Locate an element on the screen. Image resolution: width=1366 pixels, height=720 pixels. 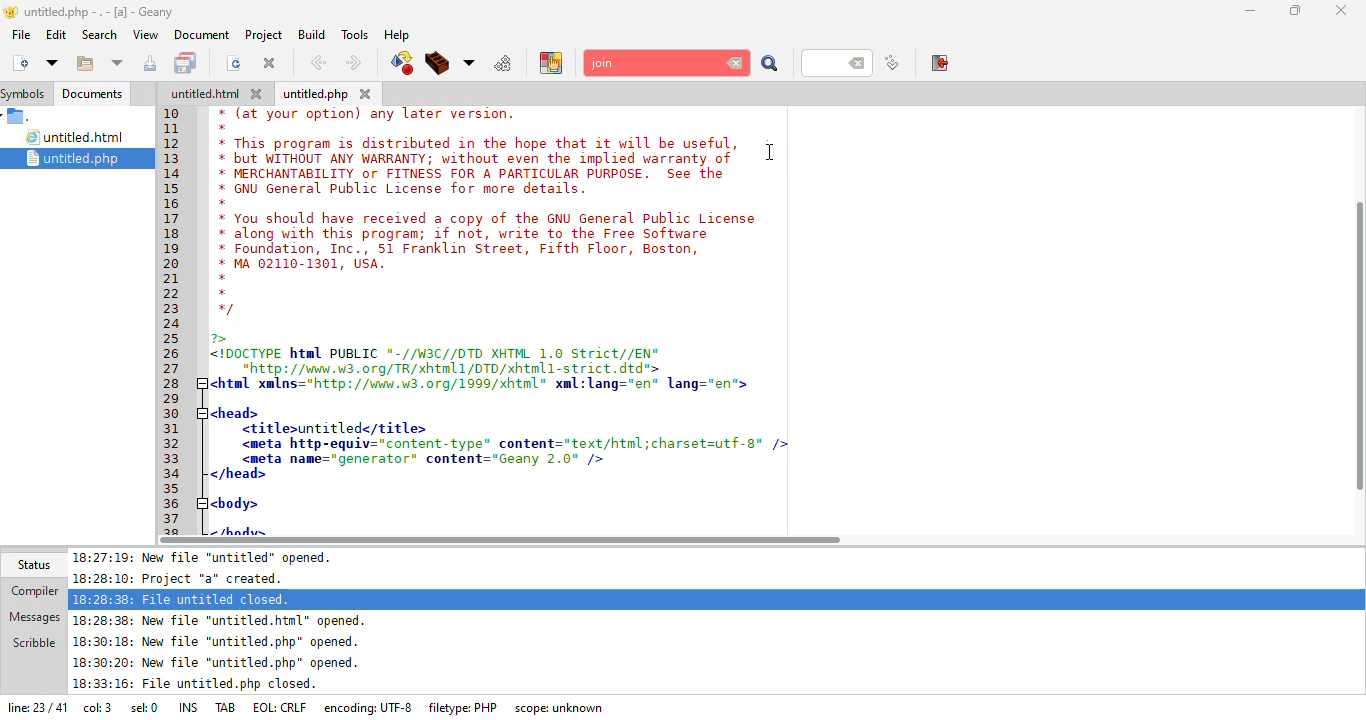
next is located at coordinates (353, 63).